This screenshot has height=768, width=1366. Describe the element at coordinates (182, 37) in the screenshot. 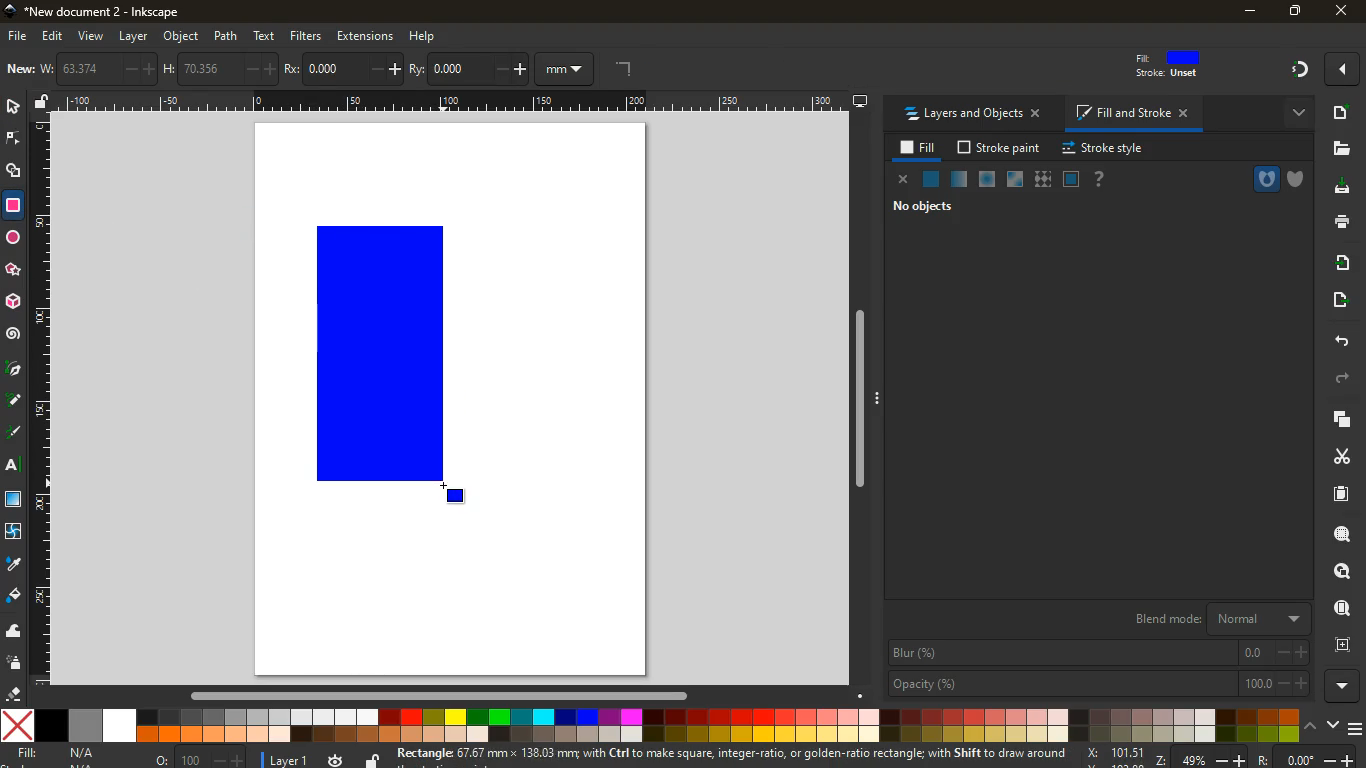

I see `object` at that location.